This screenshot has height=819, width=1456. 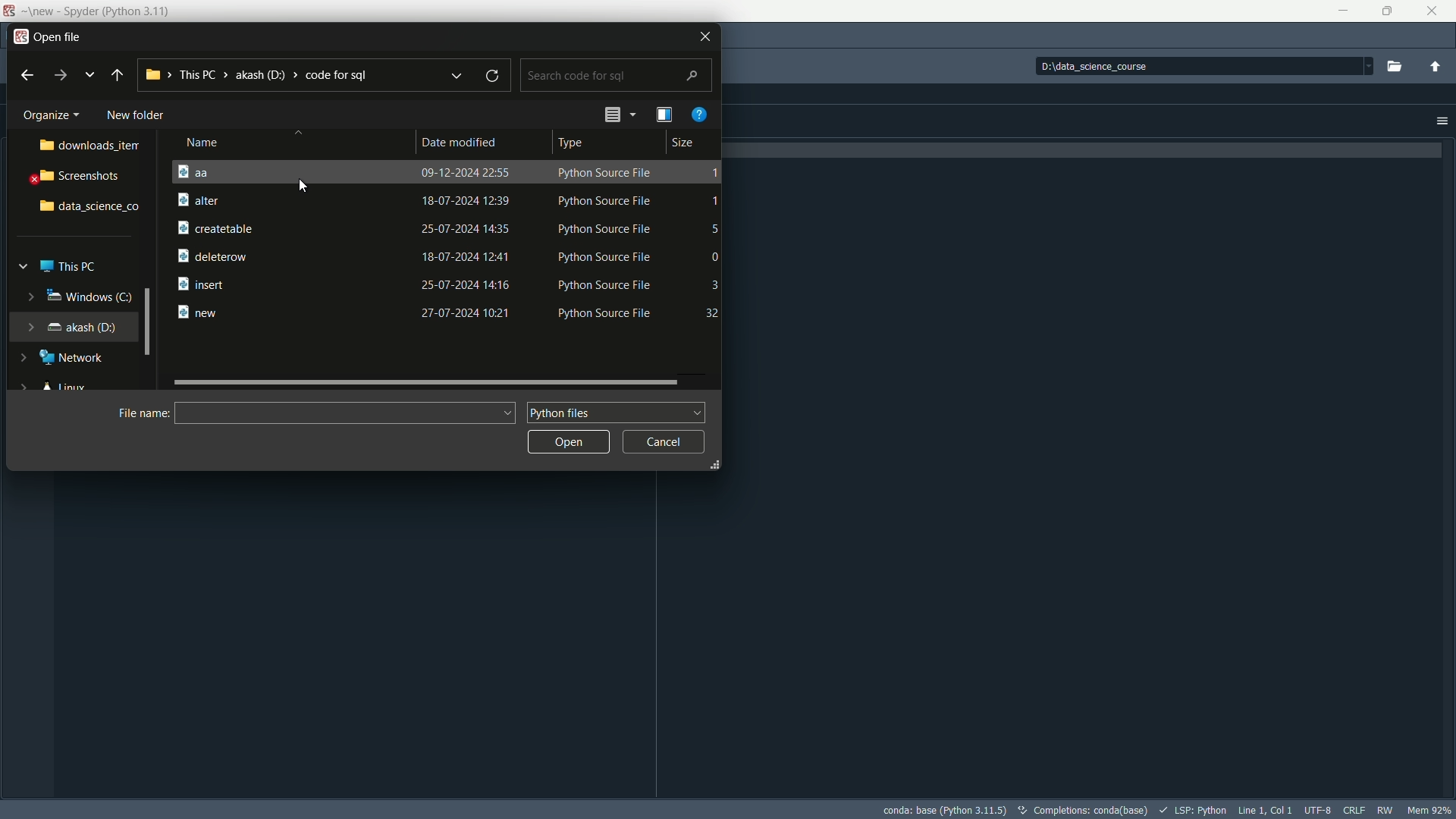 I want to click on Next, so click(x=62, y=77).